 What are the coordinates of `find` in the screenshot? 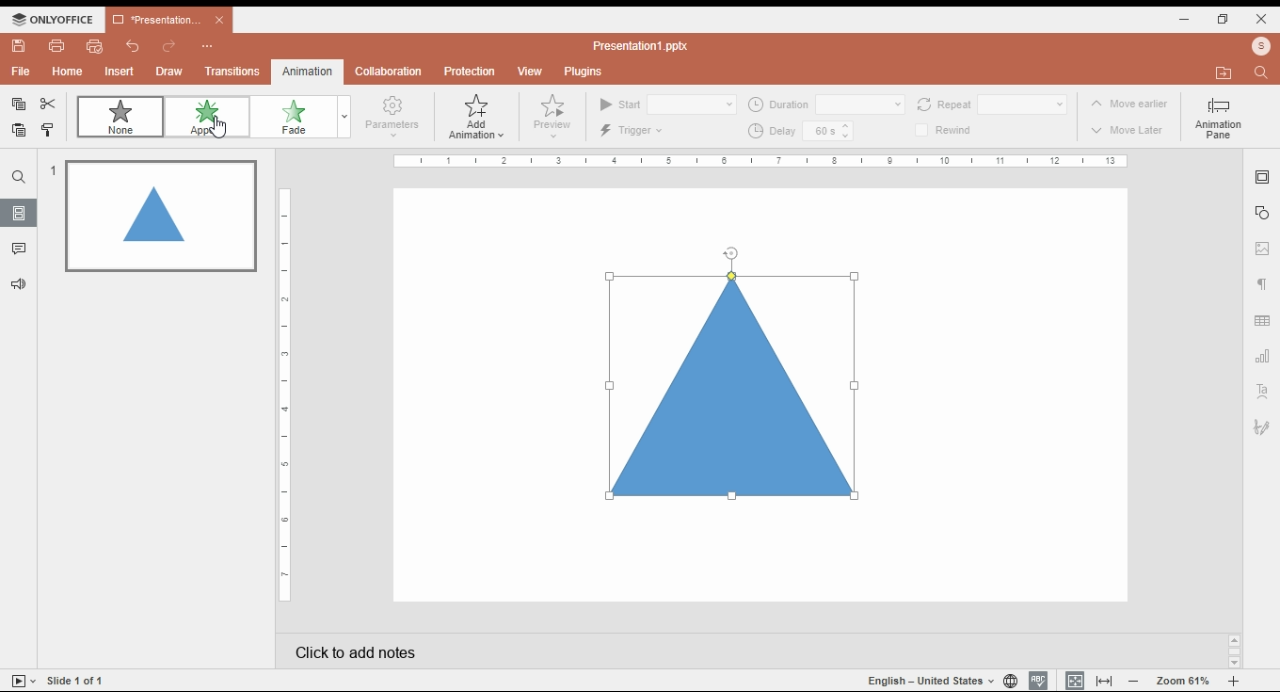 It's located at (1260, 73).